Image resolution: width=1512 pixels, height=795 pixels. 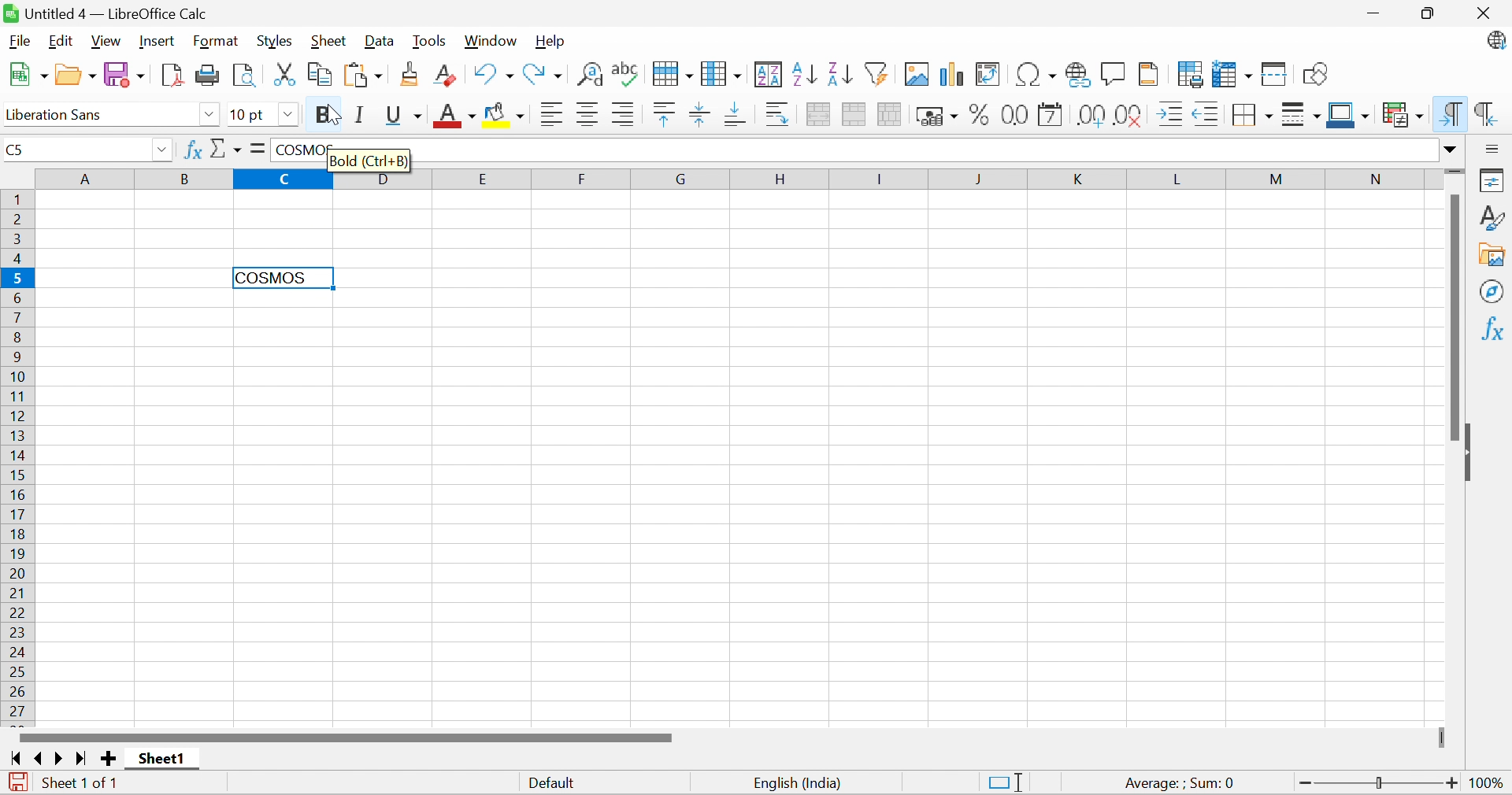 I want to click on Wrap Text, so click(x=778, y=113).